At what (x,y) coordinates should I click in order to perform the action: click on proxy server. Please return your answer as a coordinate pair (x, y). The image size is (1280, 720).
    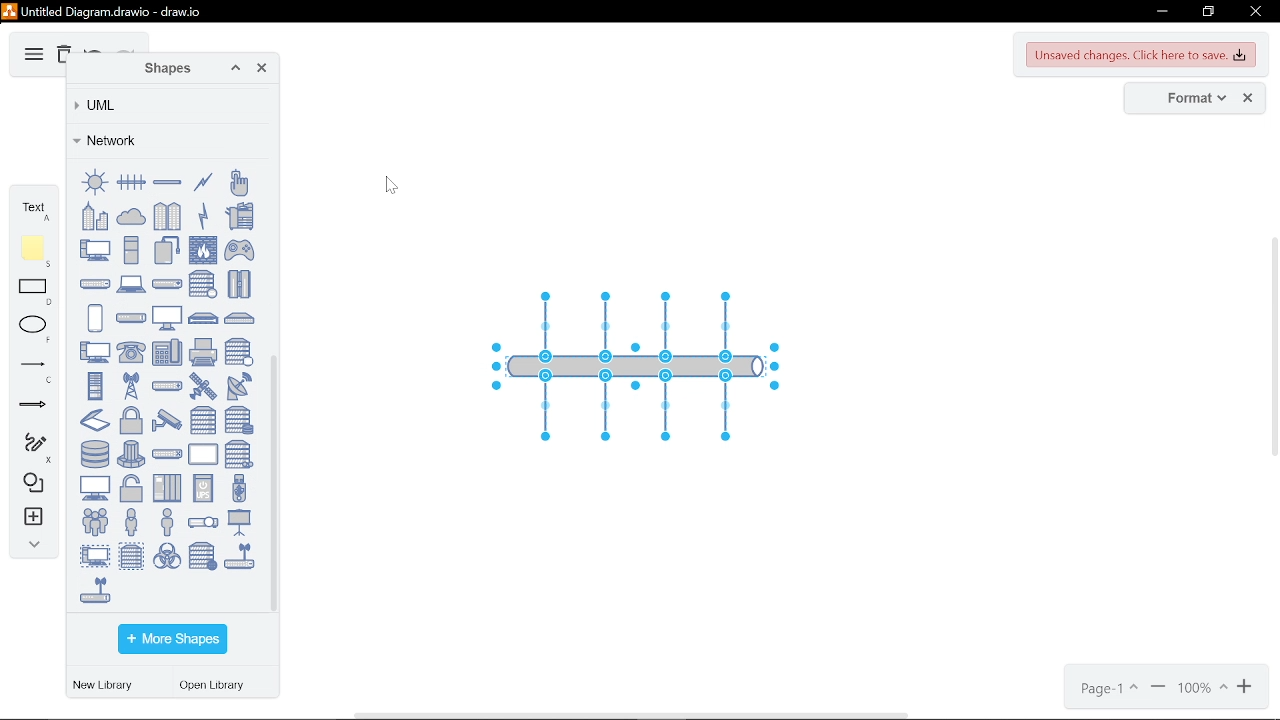
    Looking at the image, I should click on (239, 352).